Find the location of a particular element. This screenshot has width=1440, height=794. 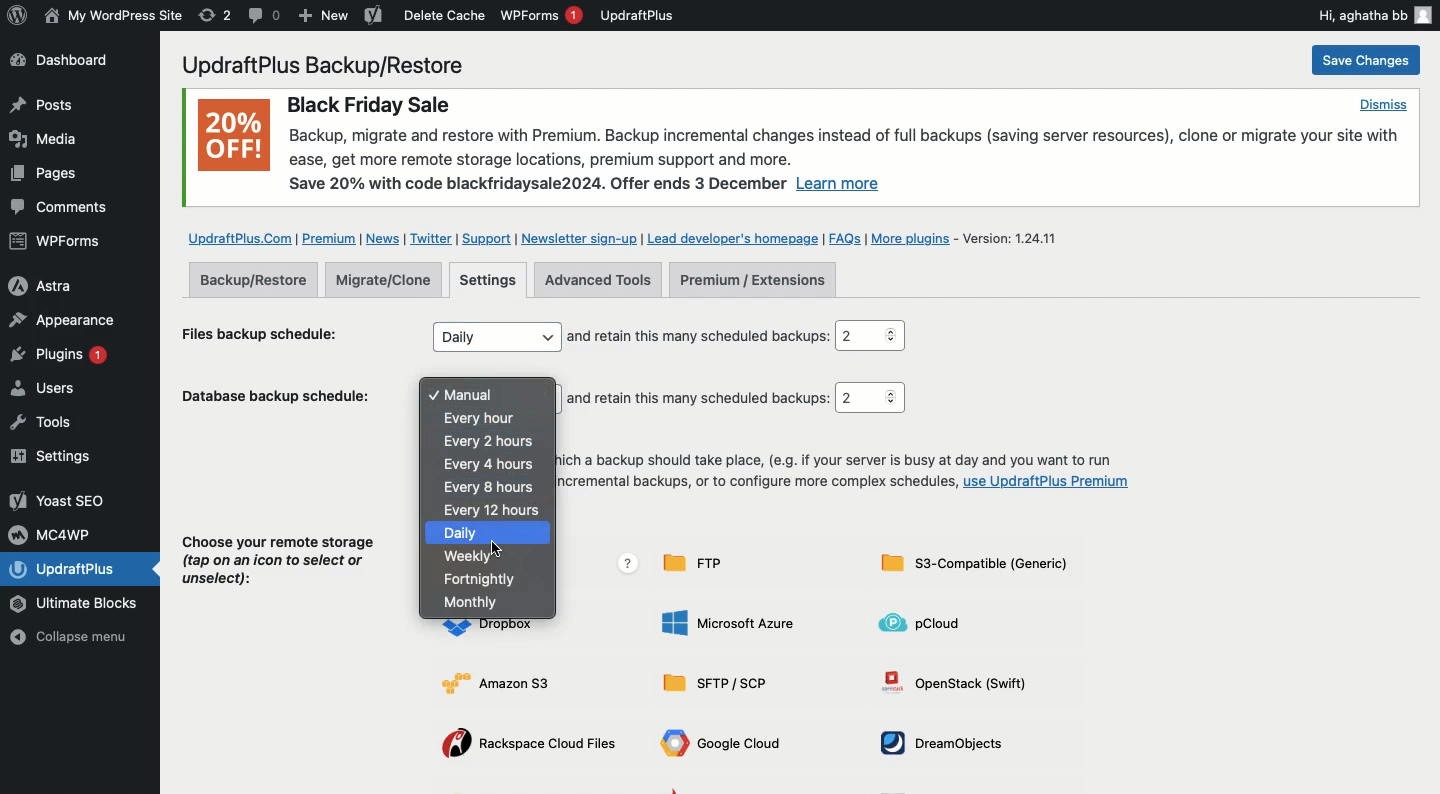

FAQs is located at coordinates (845, 238).